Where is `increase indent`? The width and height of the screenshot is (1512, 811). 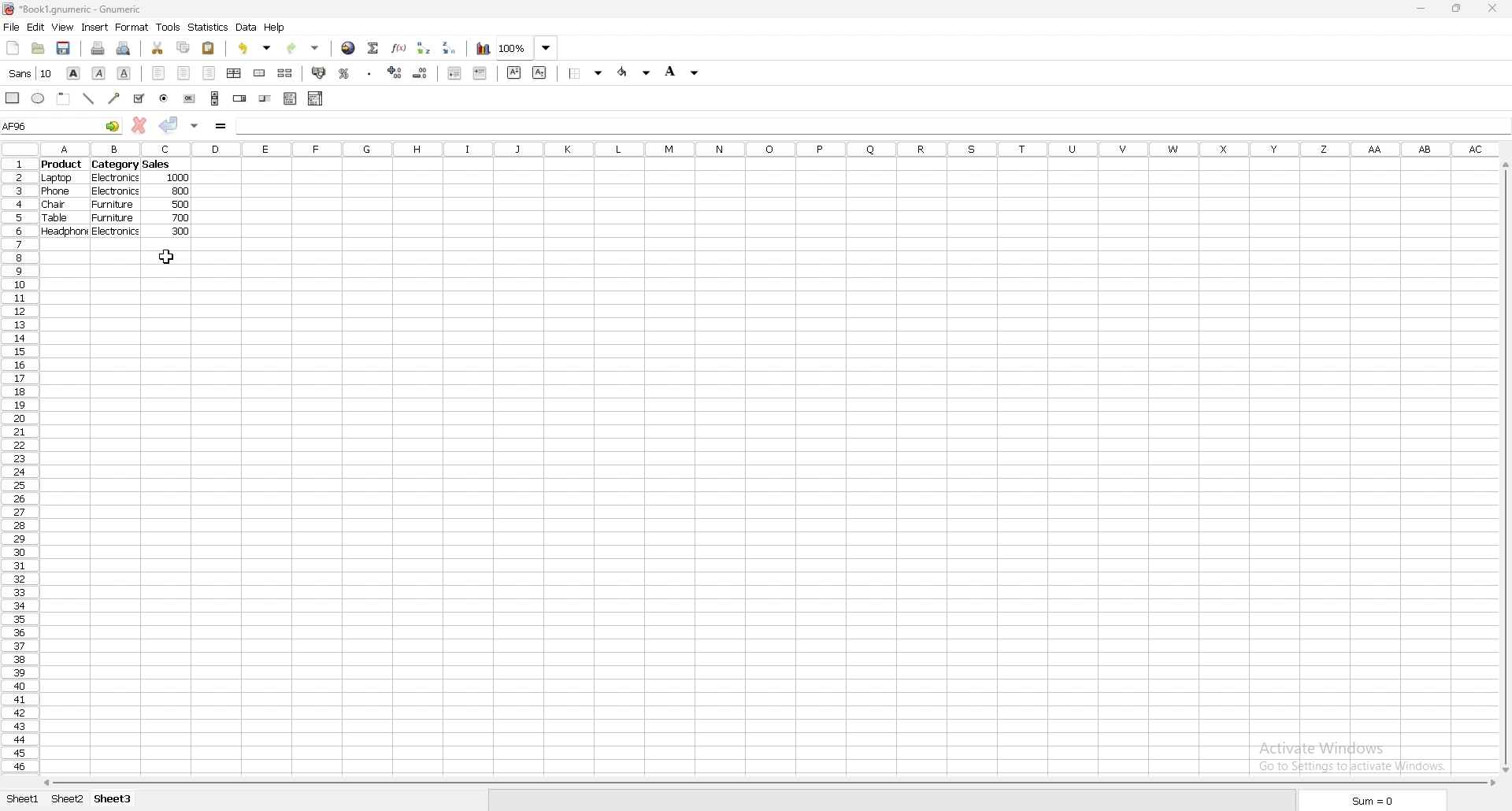 increase indent is located at coordinates (480, 73).